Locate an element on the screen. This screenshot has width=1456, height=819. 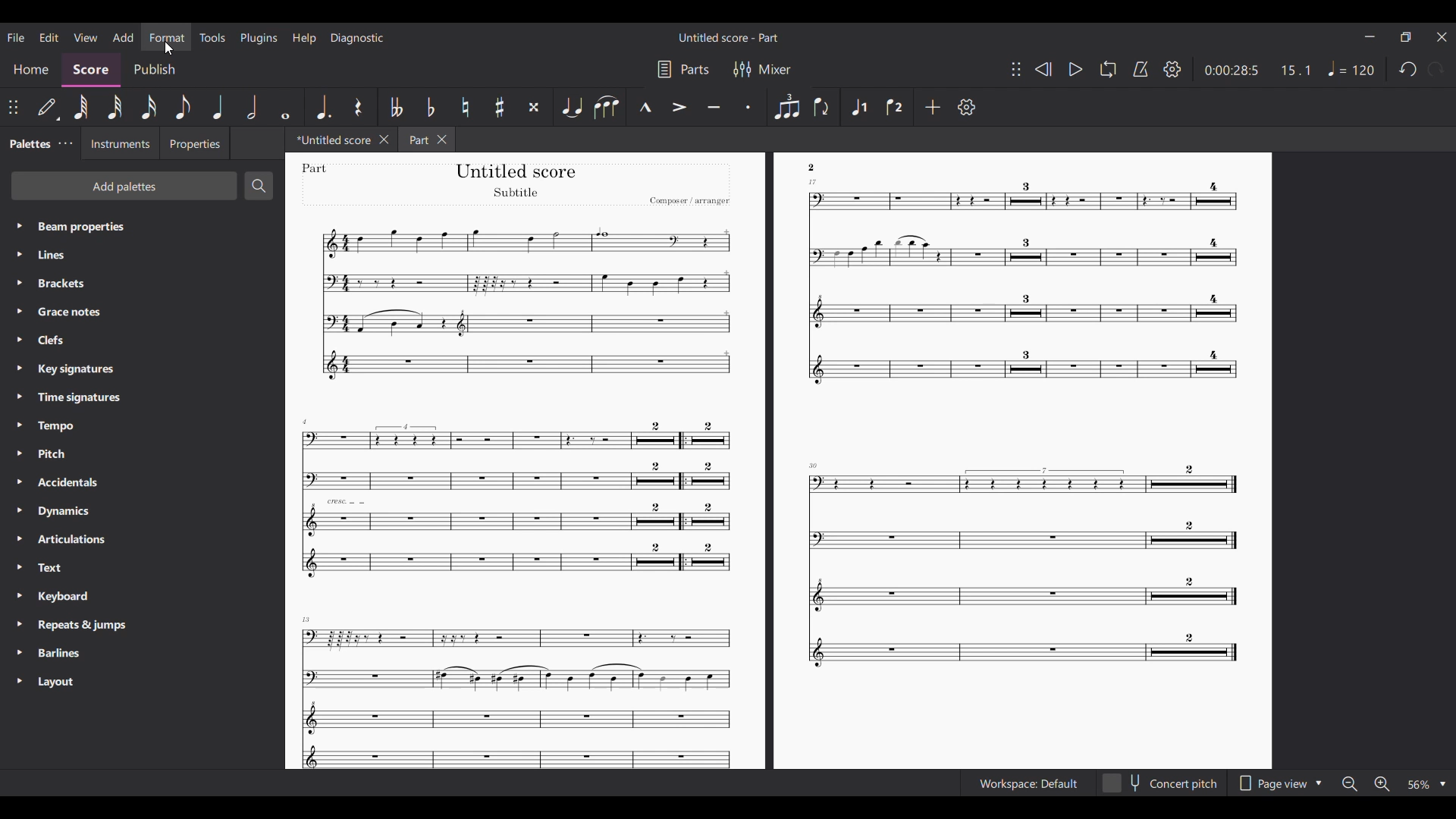
Articulations is located at coordinates (64, 538).